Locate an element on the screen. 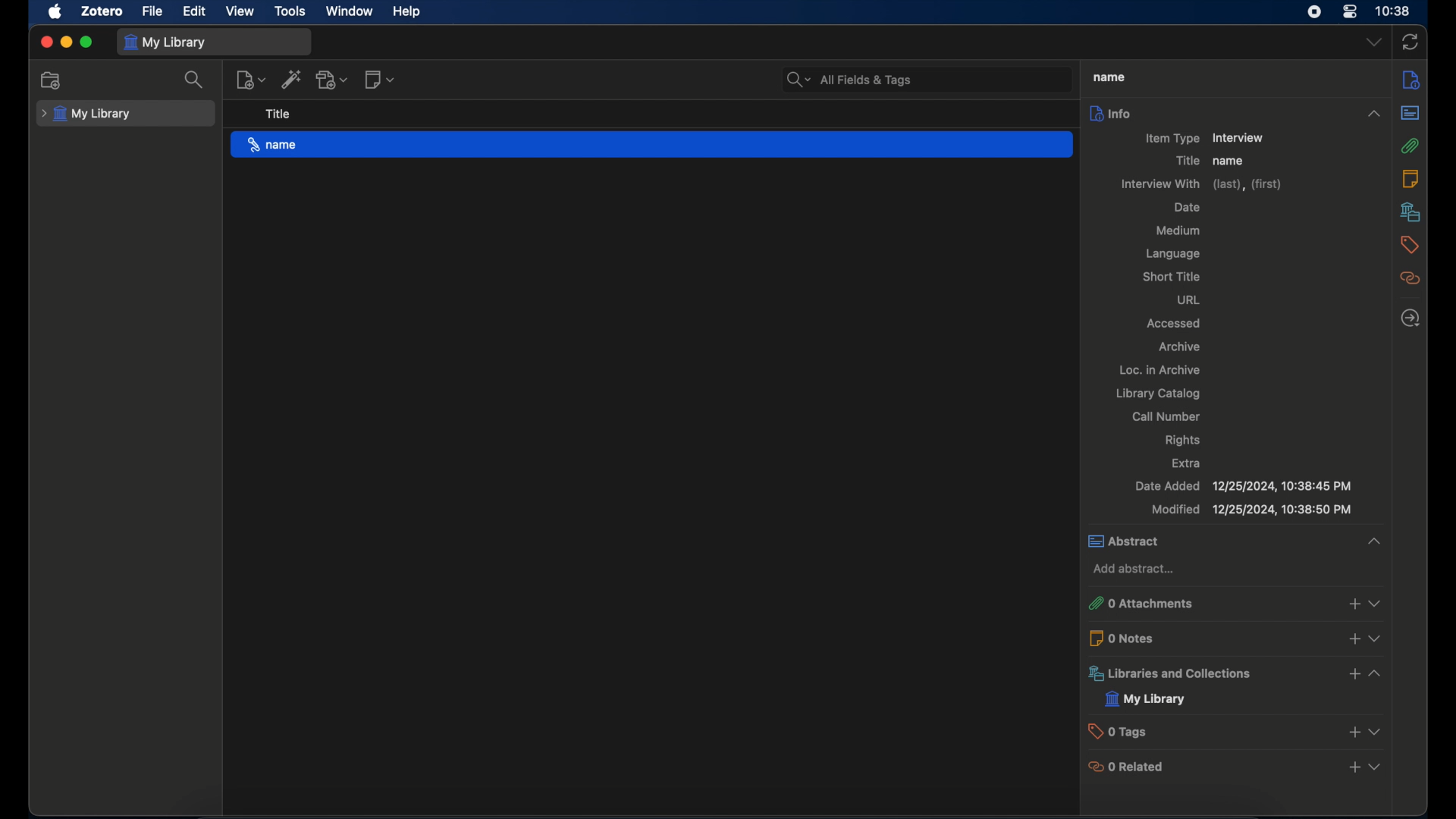 The width and height of the screenshot is (1456, 819). 0 attachments is located at coordinates (1142, 603).